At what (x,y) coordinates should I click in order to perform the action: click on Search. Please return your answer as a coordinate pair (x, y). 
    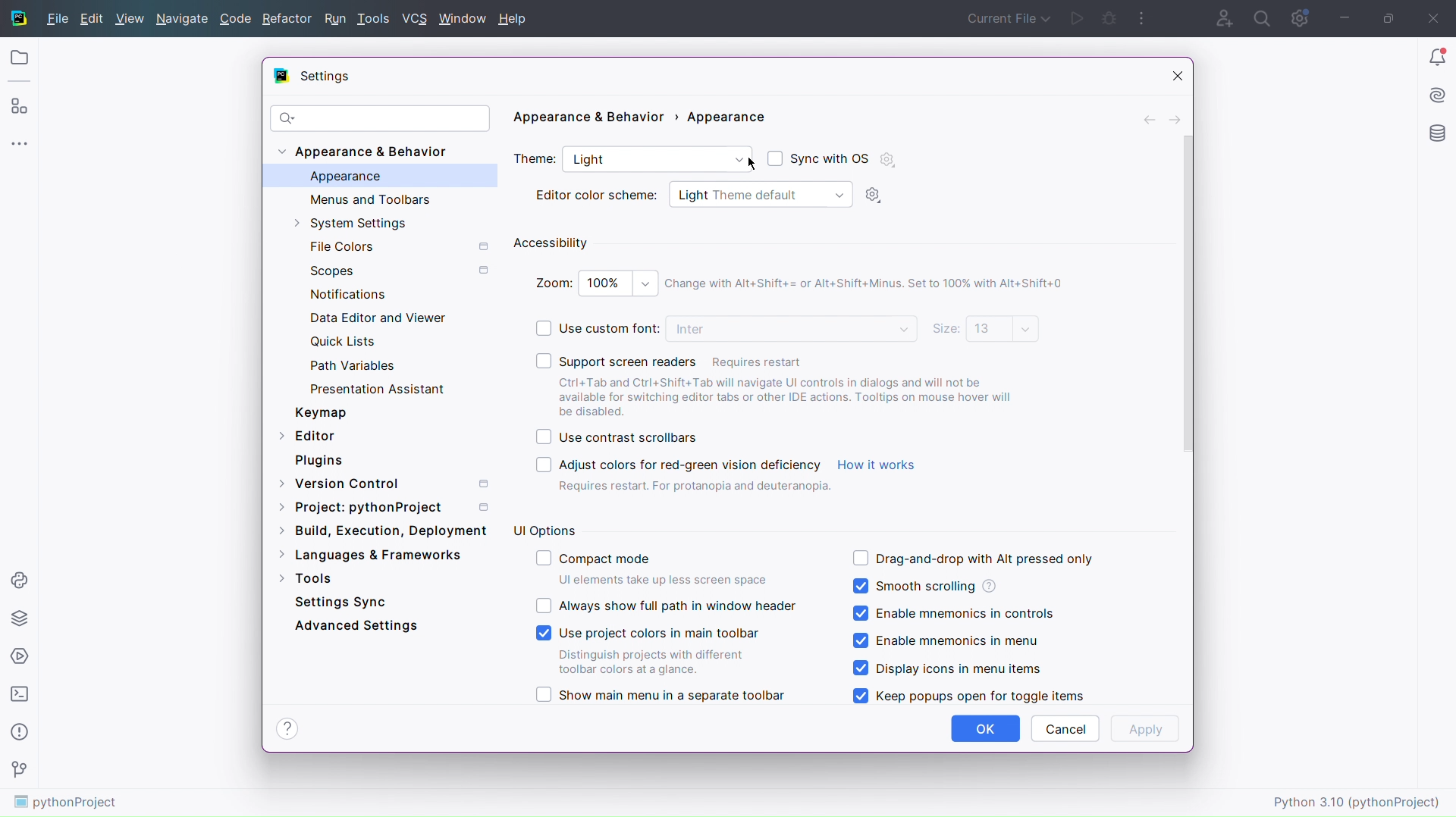
    Looking at the image, I should click on (1263, 17).